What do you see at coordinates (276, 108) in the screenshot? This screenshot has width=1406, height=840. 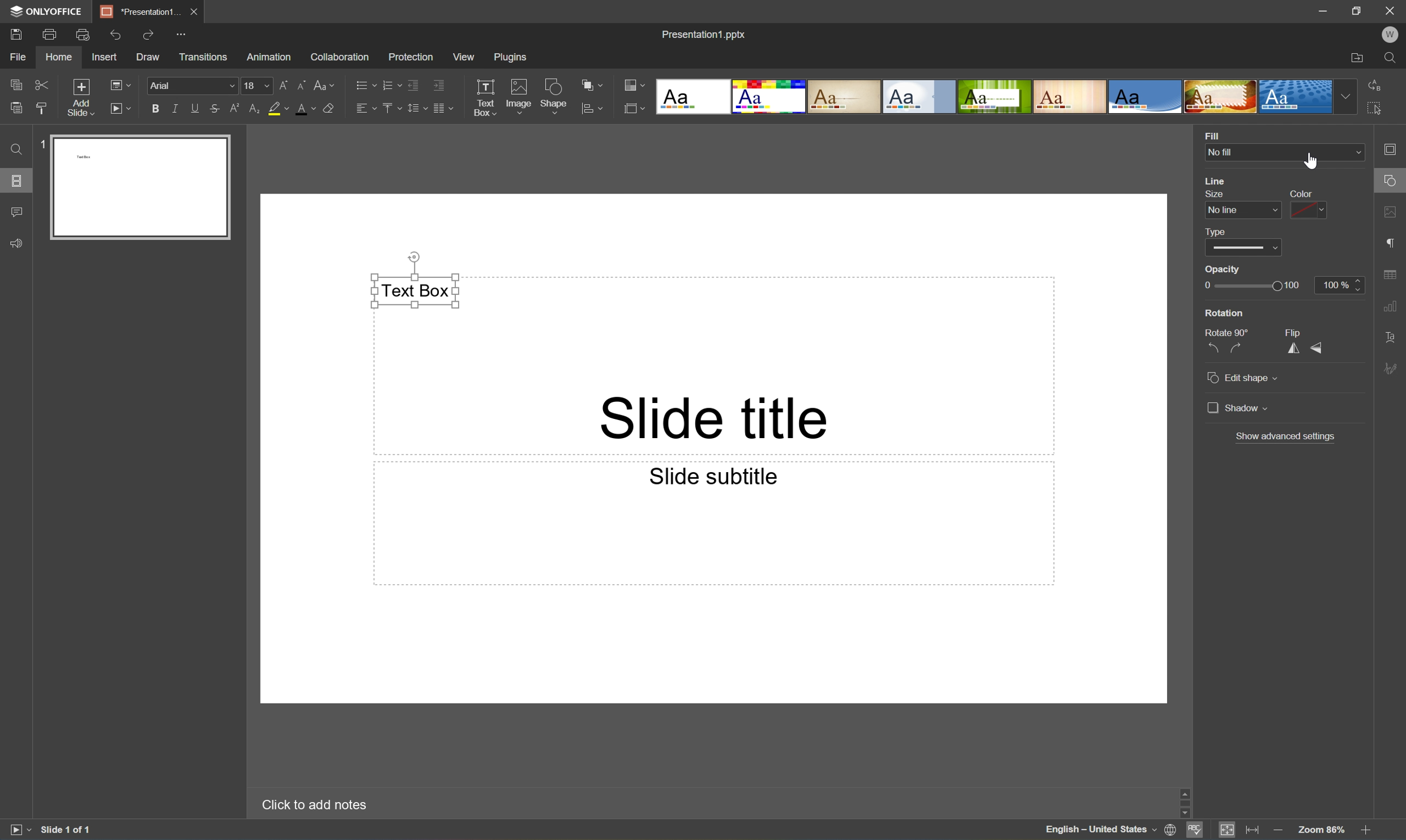 I see `Highlight color` at bounding box center [276, 108].